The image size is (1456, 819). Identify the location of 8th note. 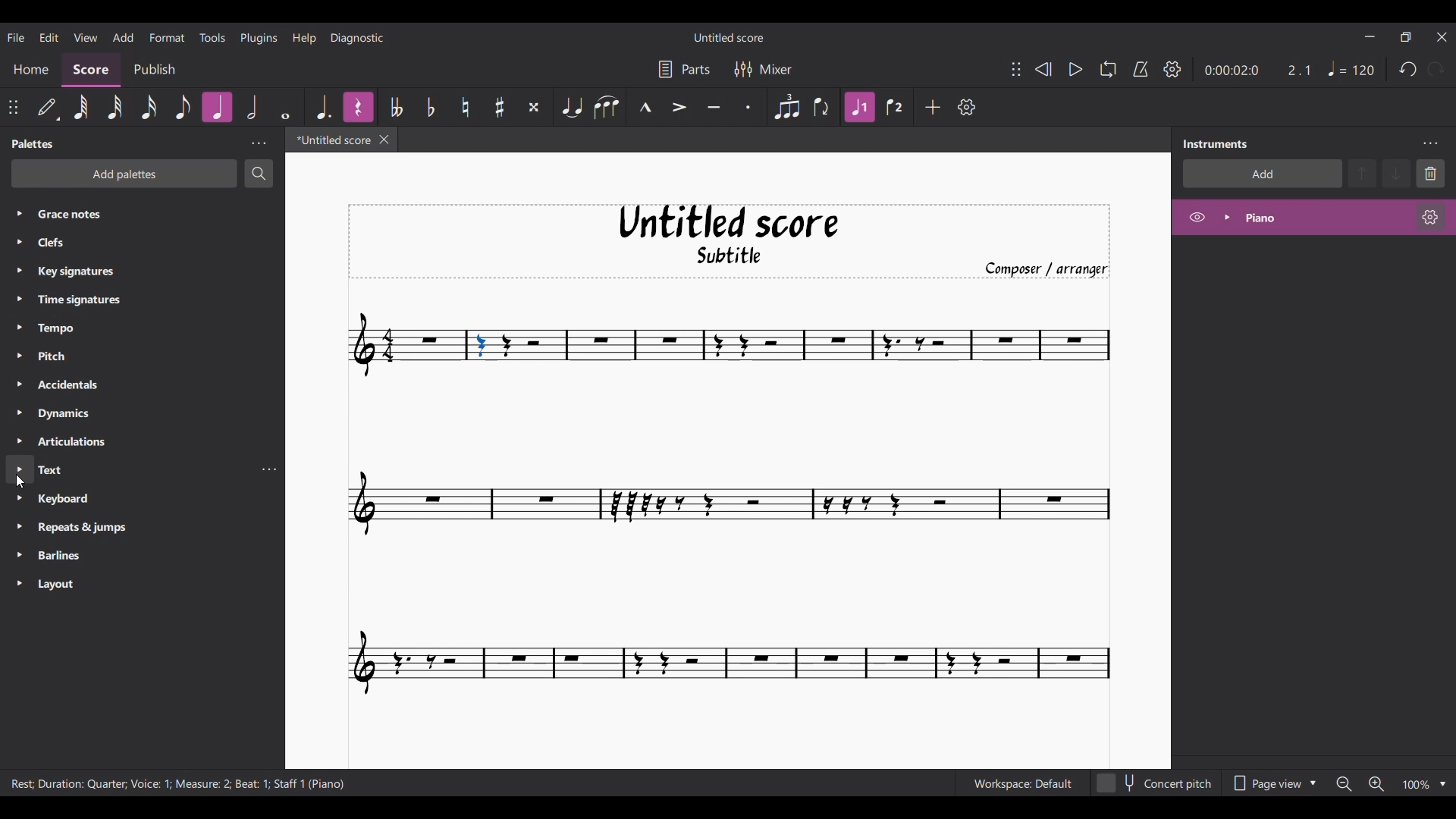
(180, 105).